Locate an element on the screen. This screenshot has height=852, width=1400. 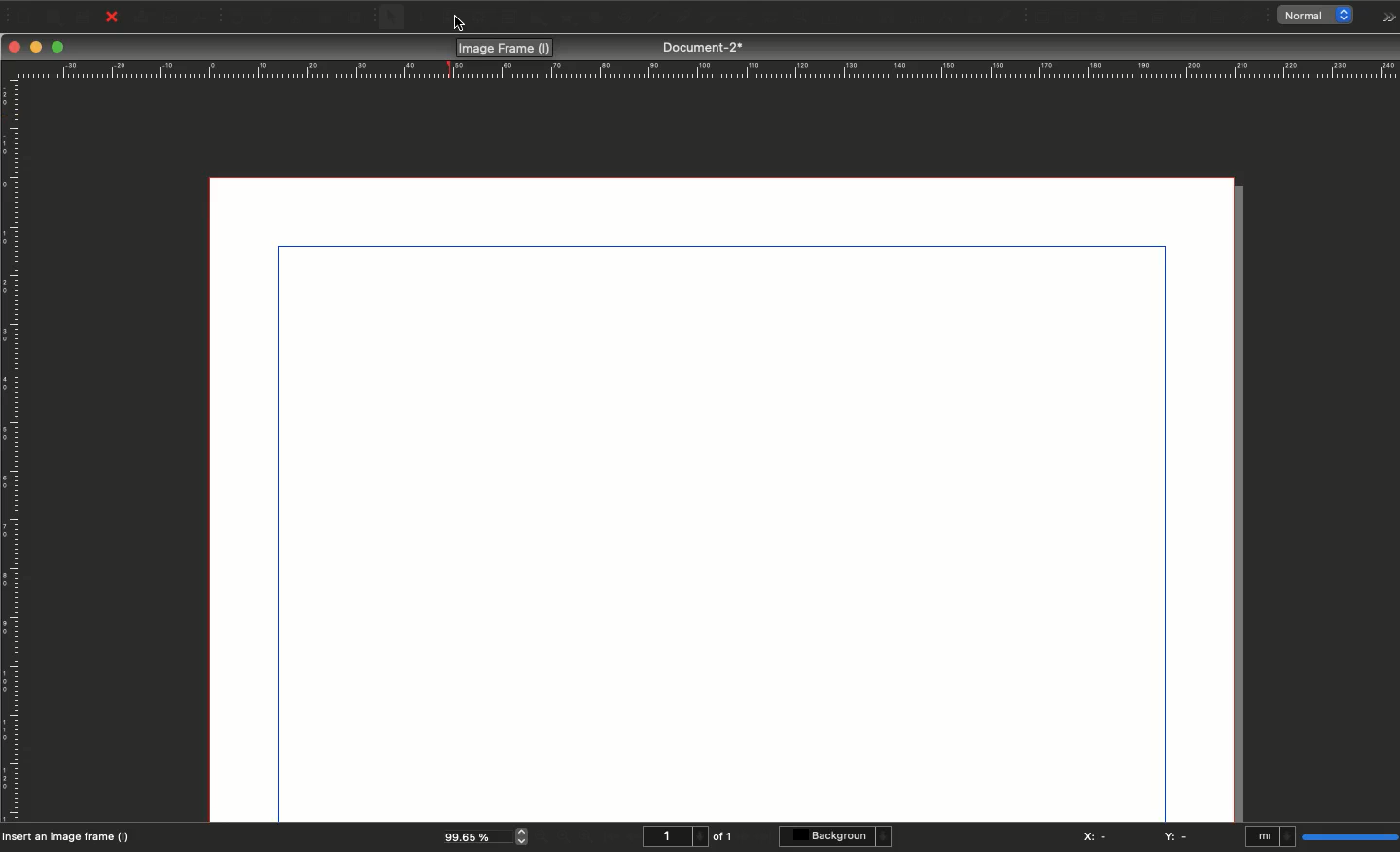
Rotate item is located at coordinates (740, 20).